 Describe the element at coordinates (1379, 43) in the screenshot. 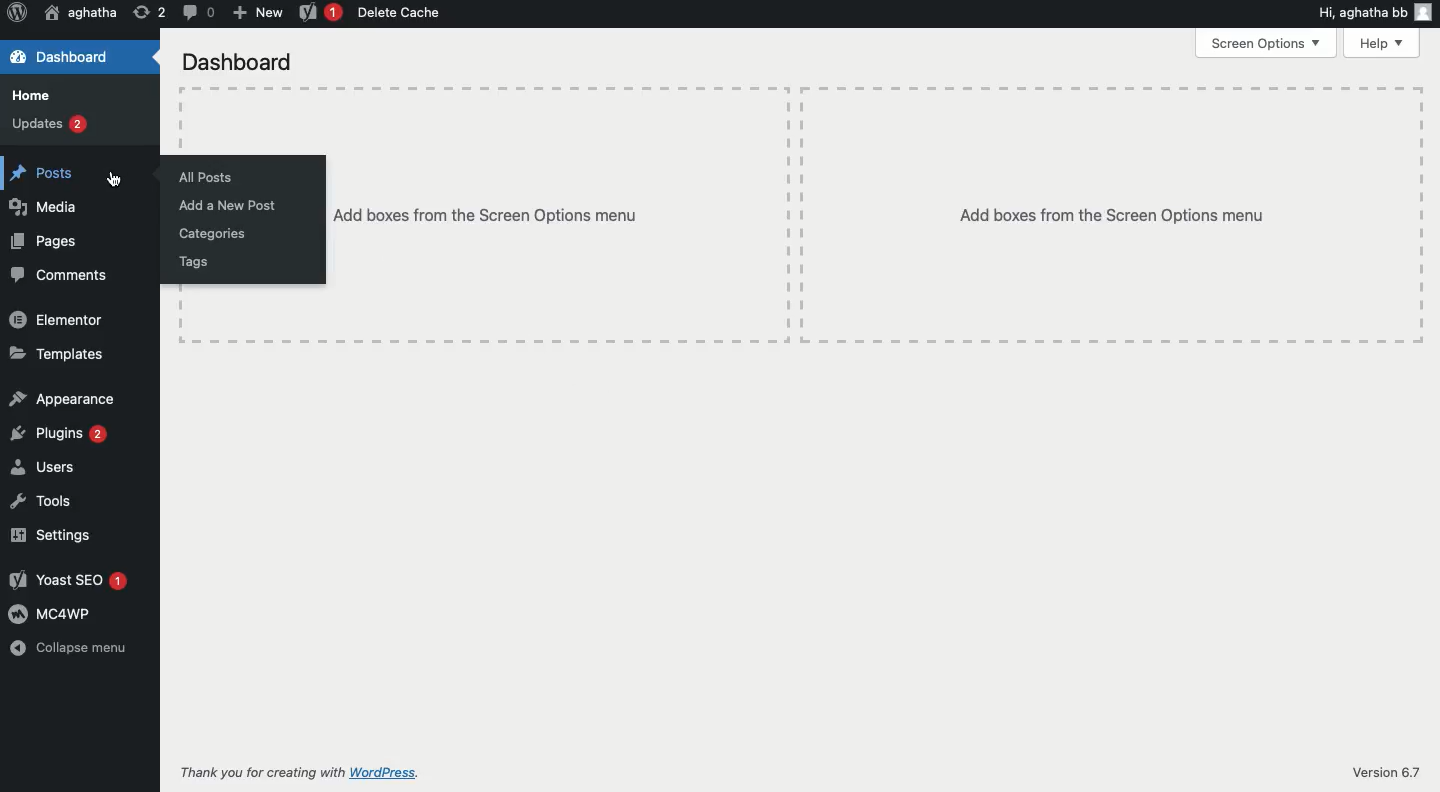

I see `Help ` at that location.